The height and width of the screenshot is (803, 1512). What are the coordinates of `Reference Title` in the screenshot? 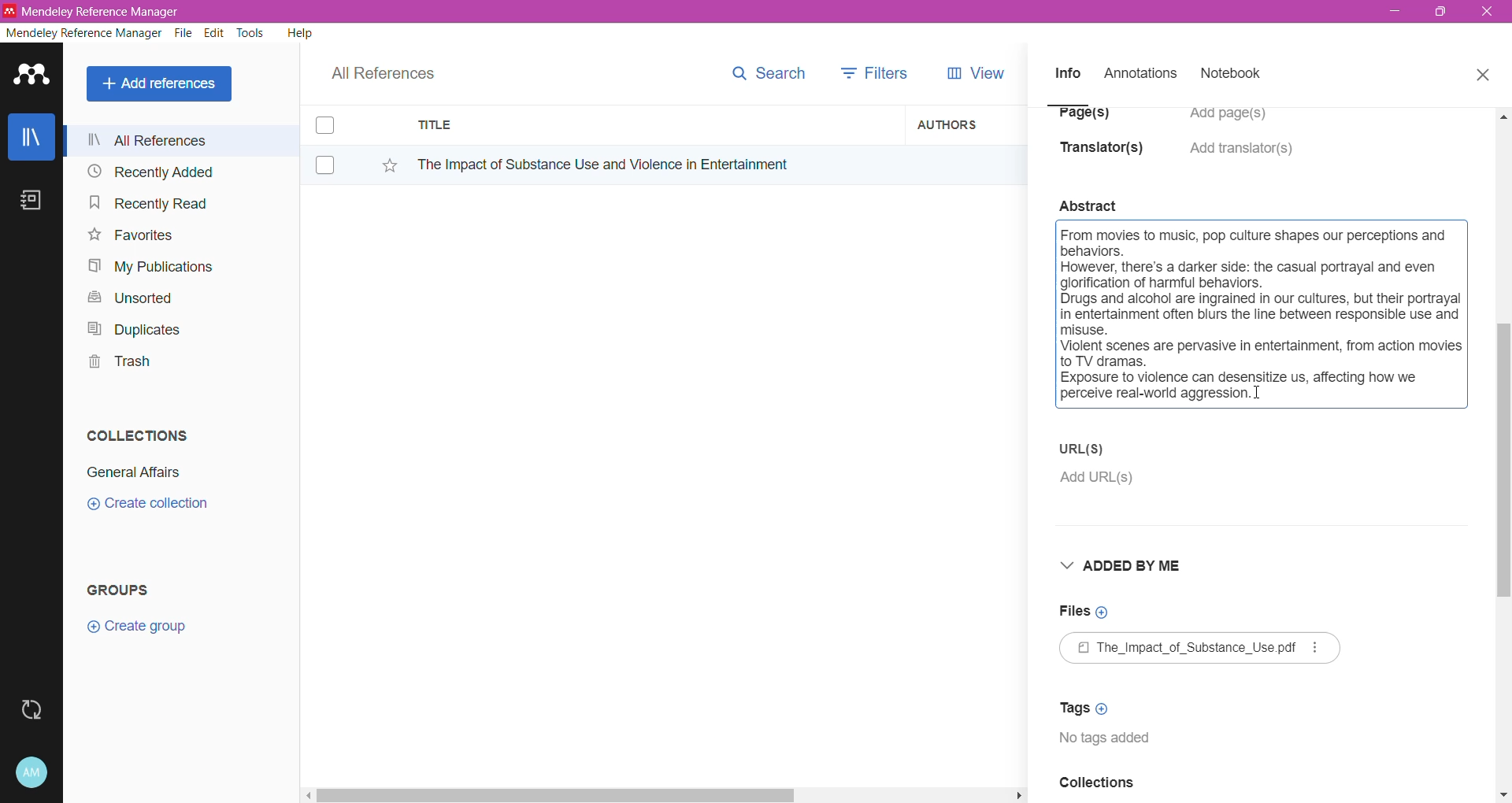 It's located at (653, 164).